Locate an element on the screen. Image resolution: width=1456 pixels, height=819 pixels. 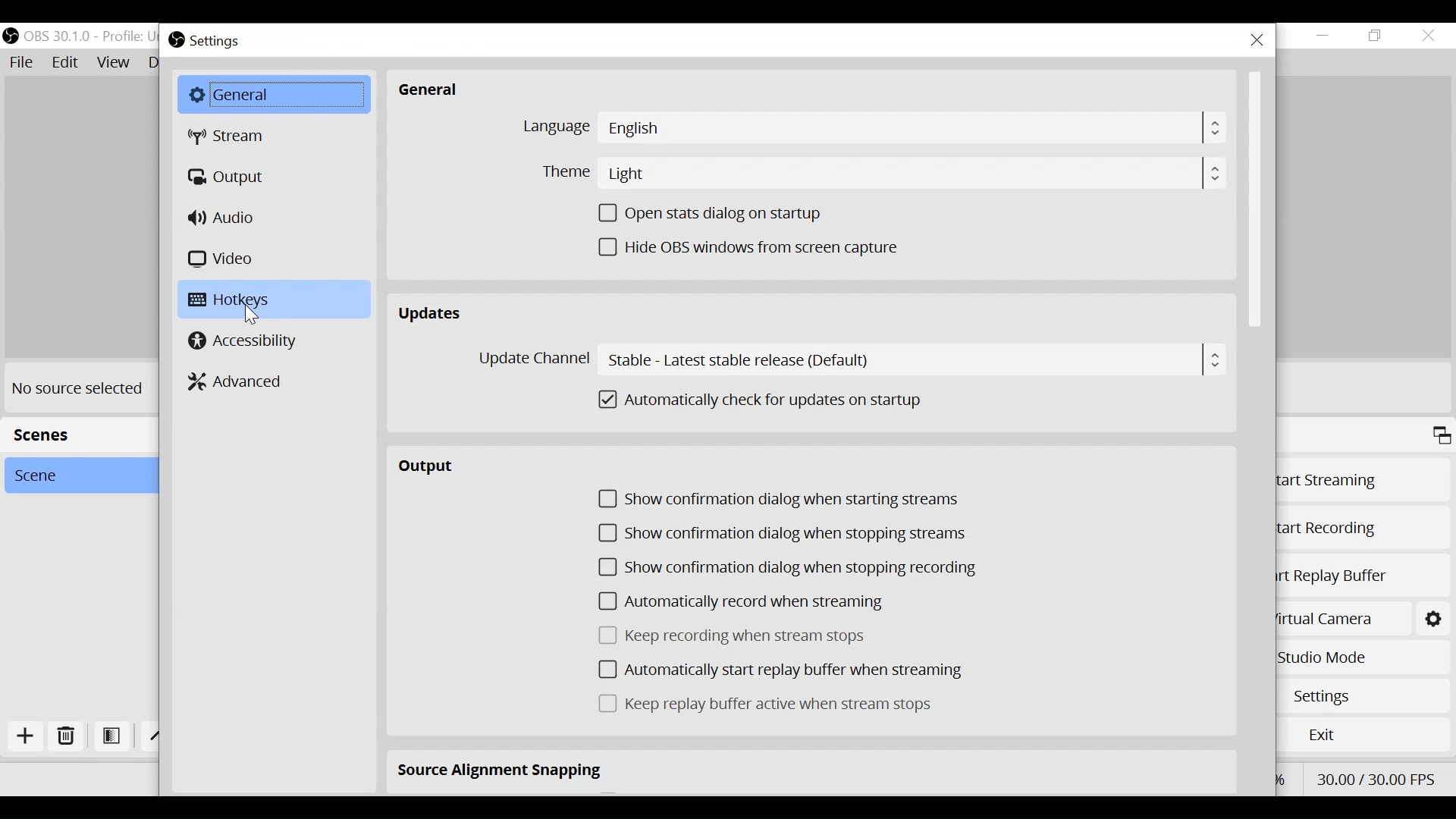
Cursor is located at coordinates (252, 316).